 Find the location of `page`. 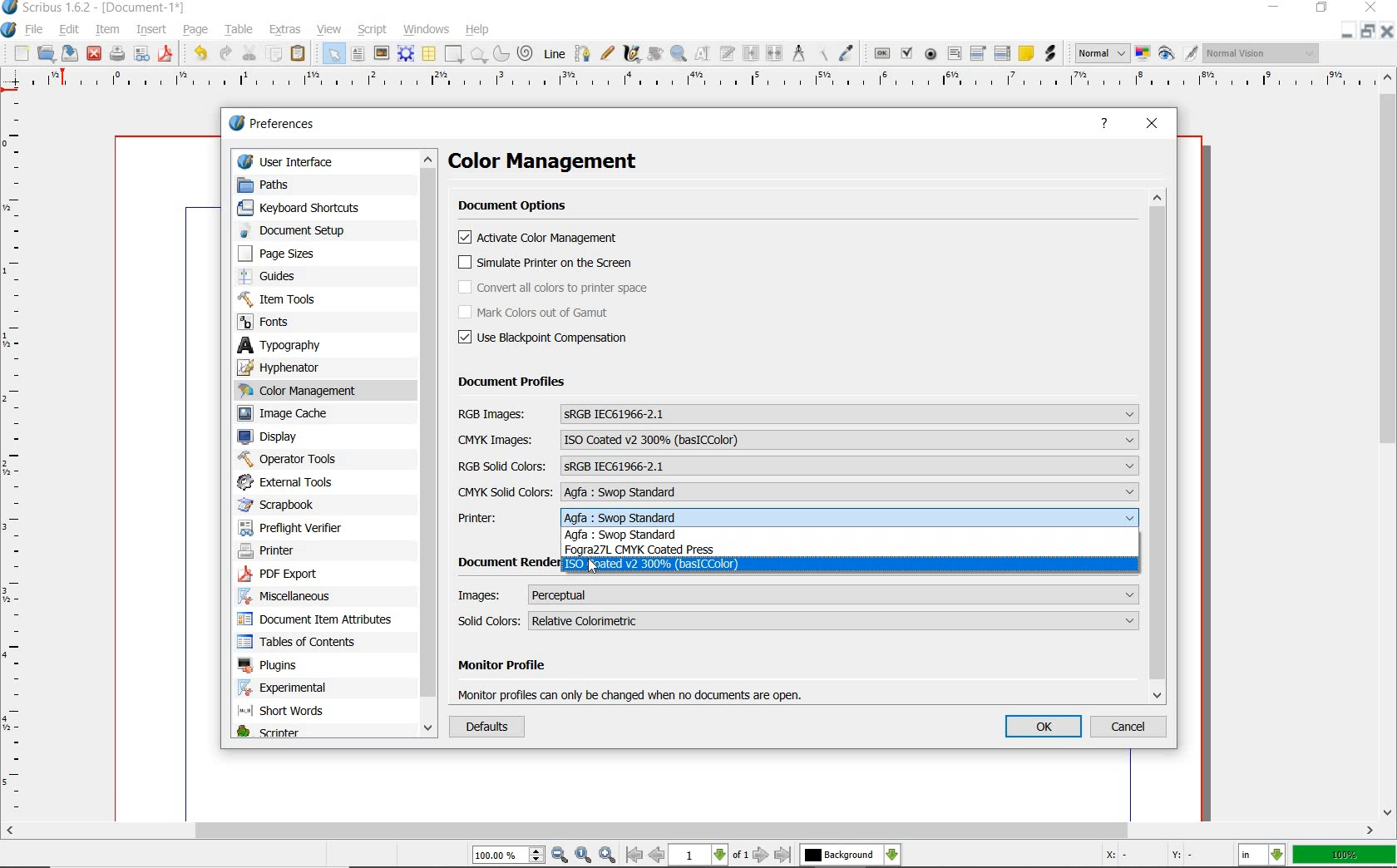

page is located at coordinates (197, 31).